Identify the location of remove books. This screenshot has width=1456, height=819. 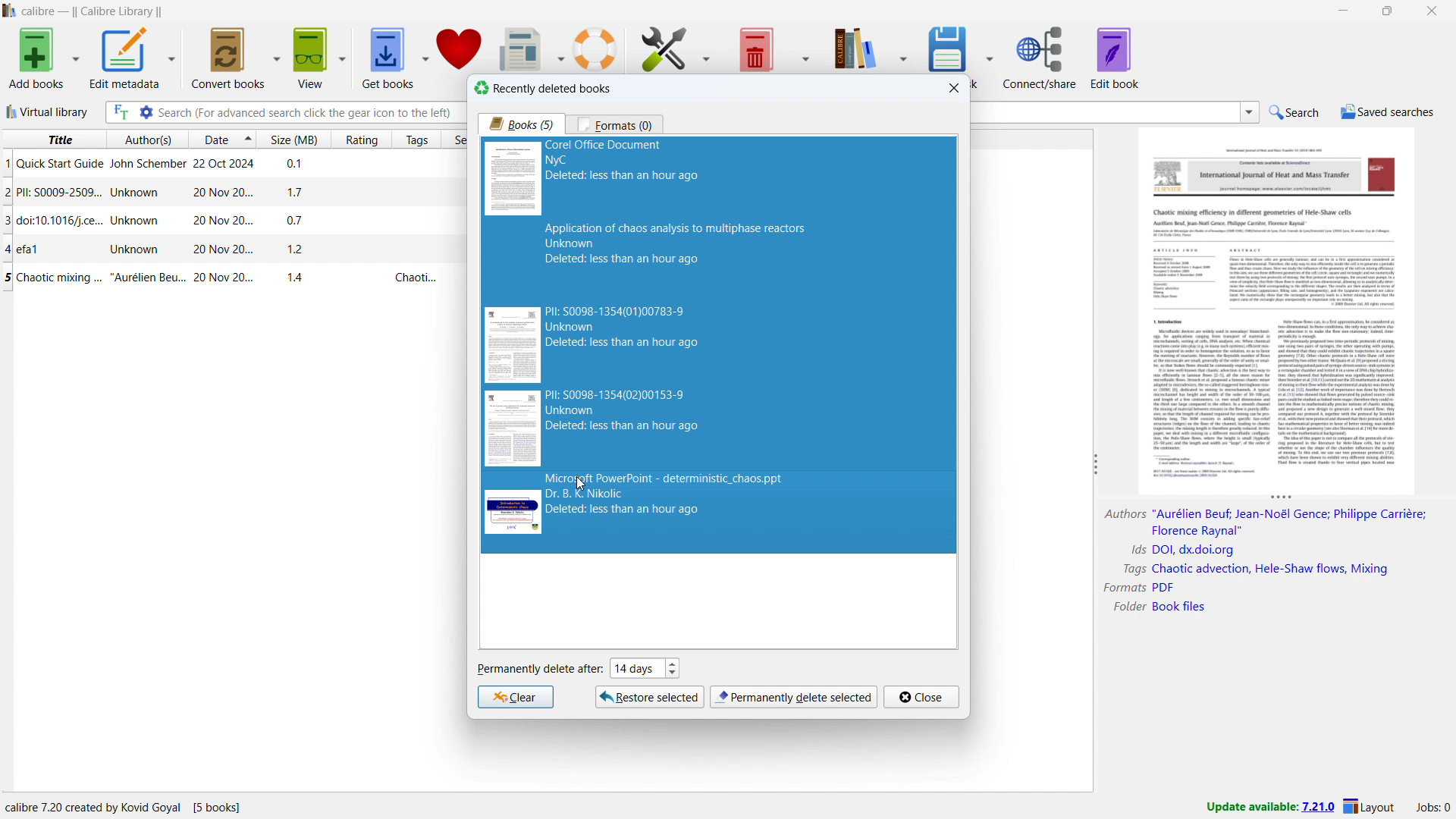
(755, 48).